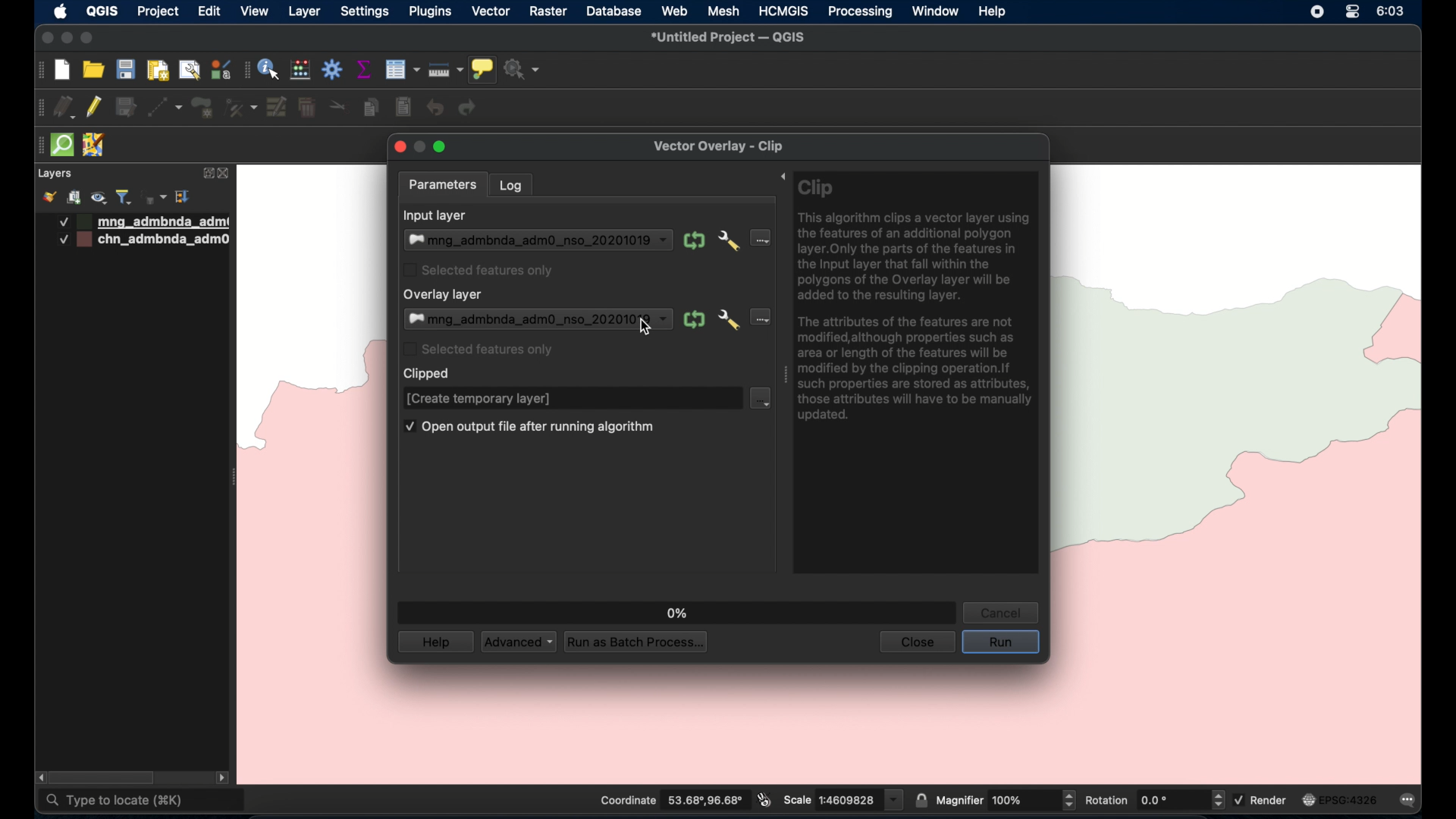 This screenshot has height=819, width=1456. What do you see at coordinates (442, 147) in the screenshot?
I see `maximize` at bounding box center [442, 147].